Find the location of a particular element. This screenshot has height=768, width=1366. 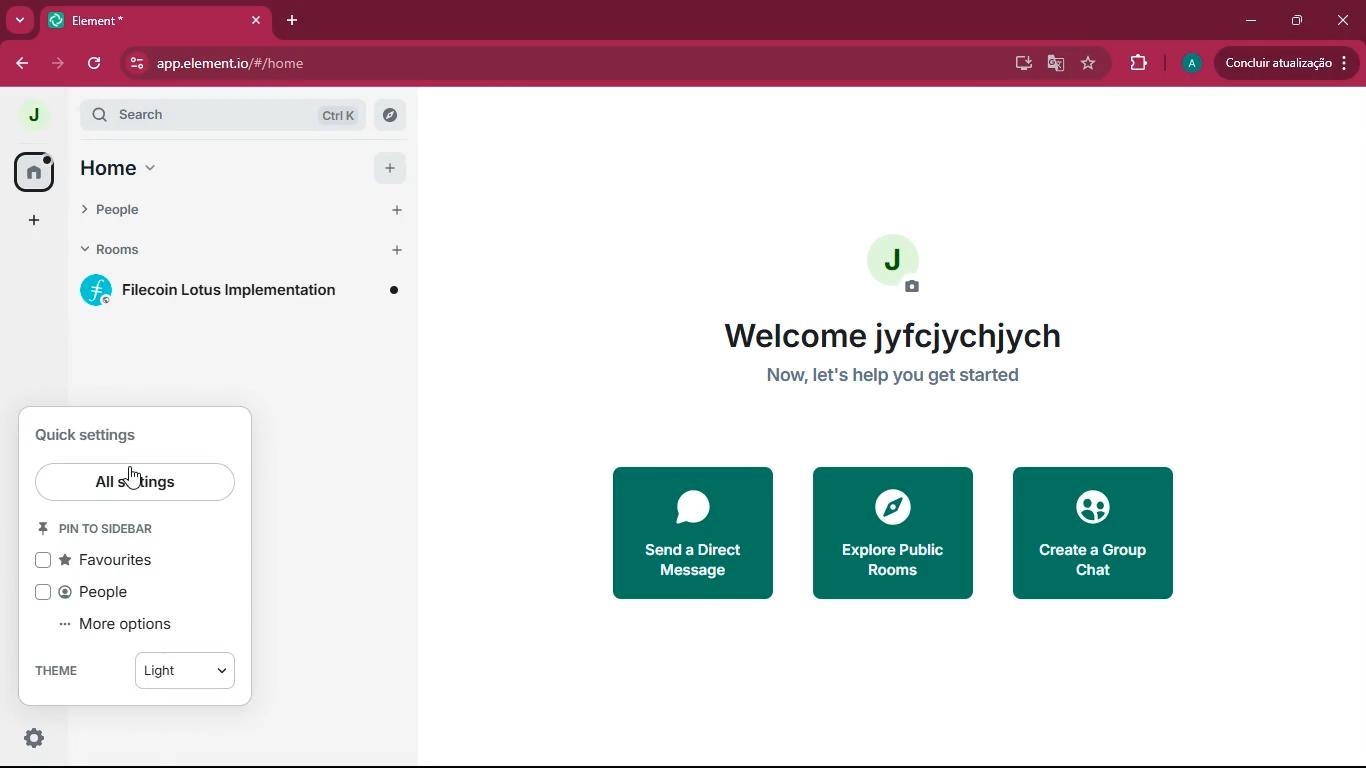

extensions is located at coordinates (1138, 63).